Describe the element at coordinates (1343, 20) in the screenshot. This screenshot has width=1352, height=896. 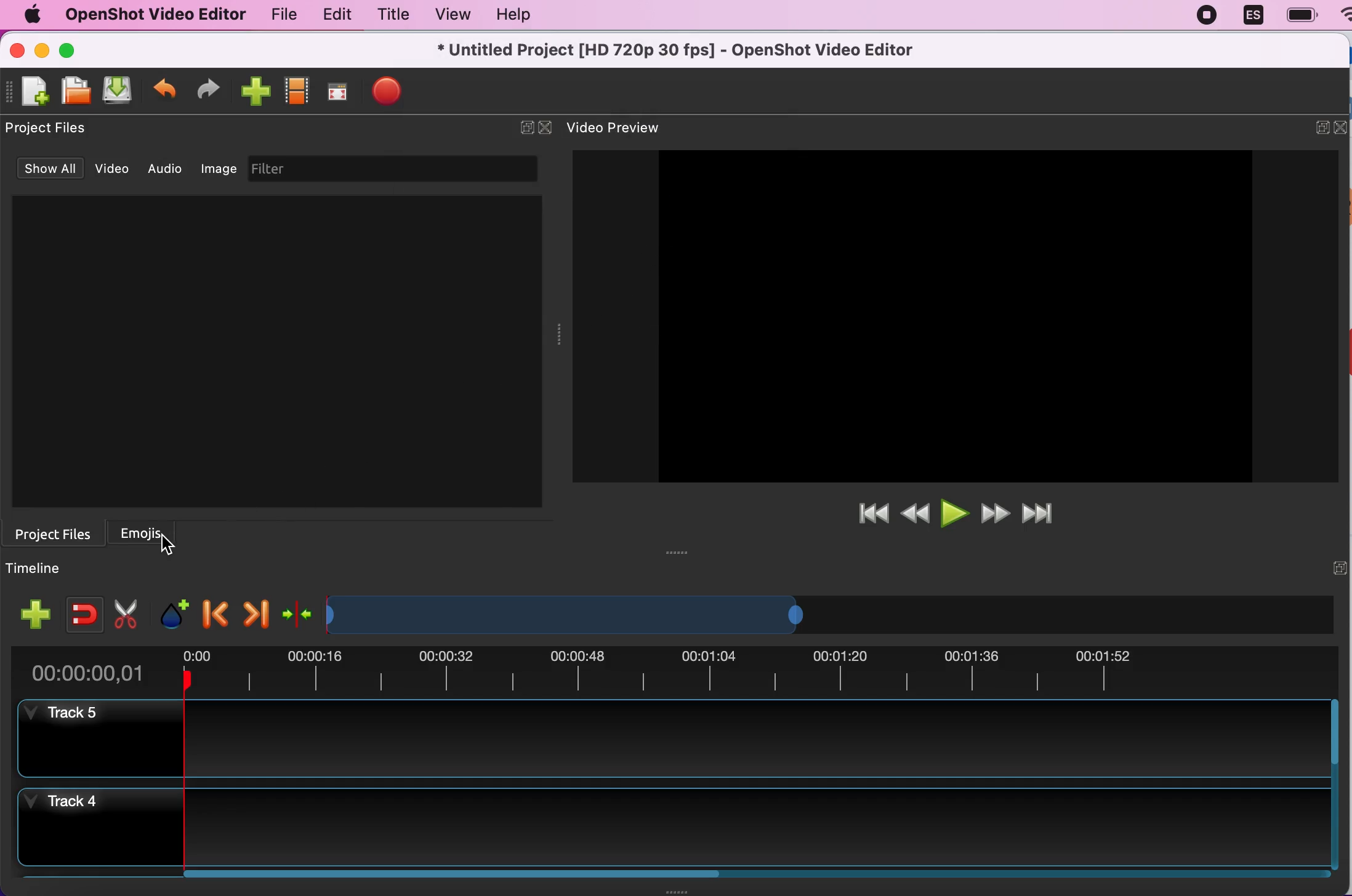
I see `wifi` at that location.